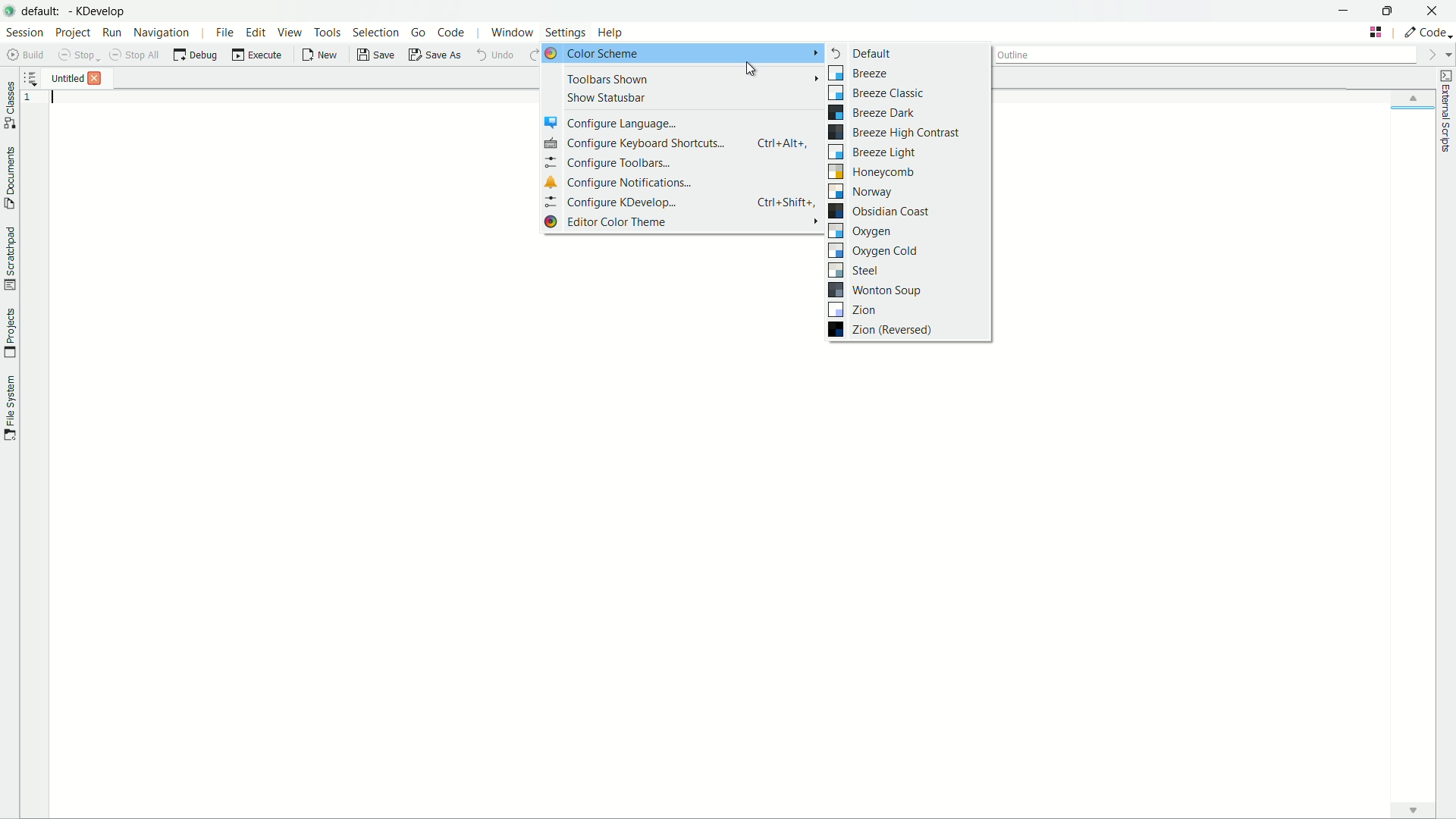 This screenshot has width=1456, height=819. What do you see at coordinates (28, 55) in the screenshot?
I see `build` at bounding box center [28, 55].